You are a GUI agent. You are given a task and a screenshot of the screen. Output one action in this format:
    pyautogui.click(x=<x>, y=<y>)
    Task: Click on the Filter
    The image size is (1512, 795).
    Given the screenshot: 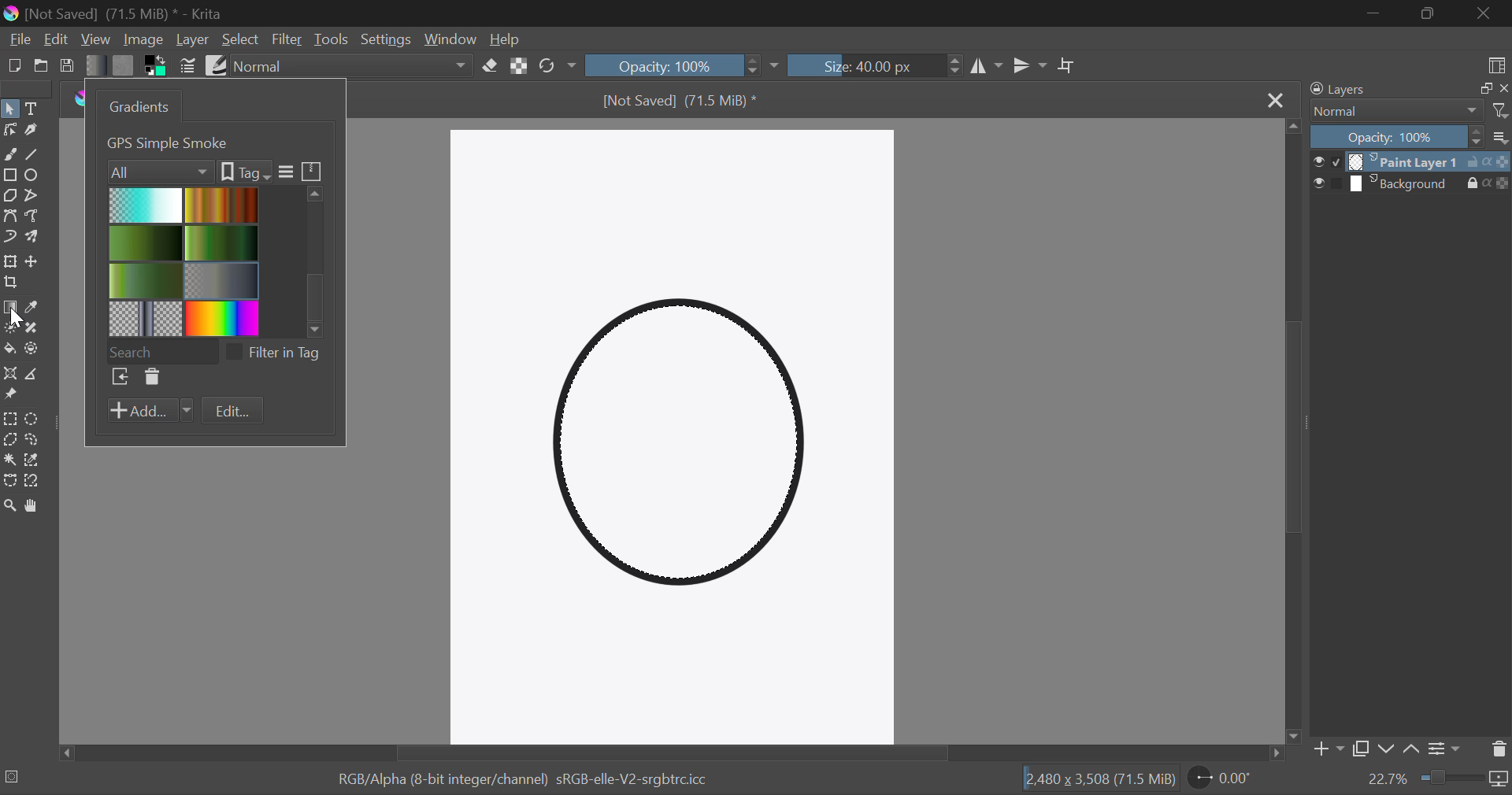 What is the action you would take?
    pyautogui.click(x=287, y=39)
    